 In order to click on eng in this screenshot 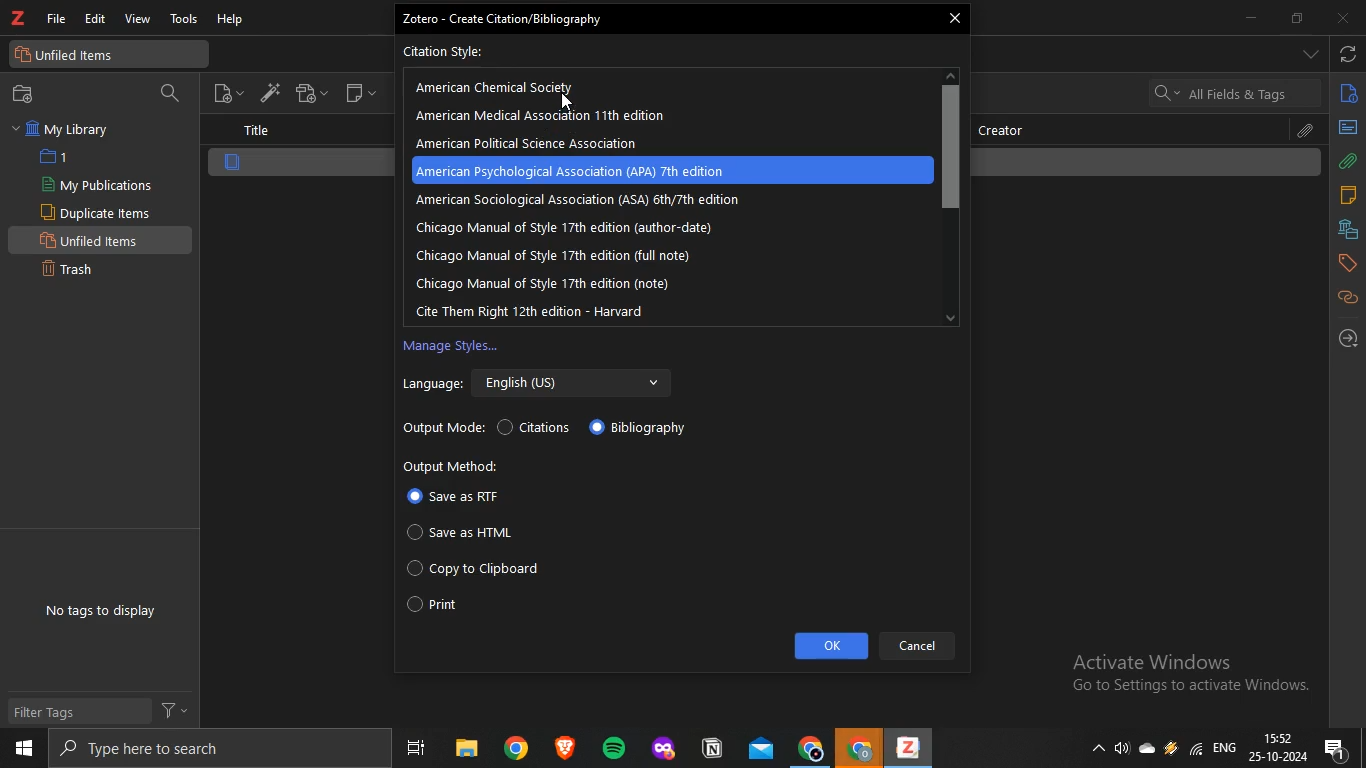, I will do `click(1227, 745)`.